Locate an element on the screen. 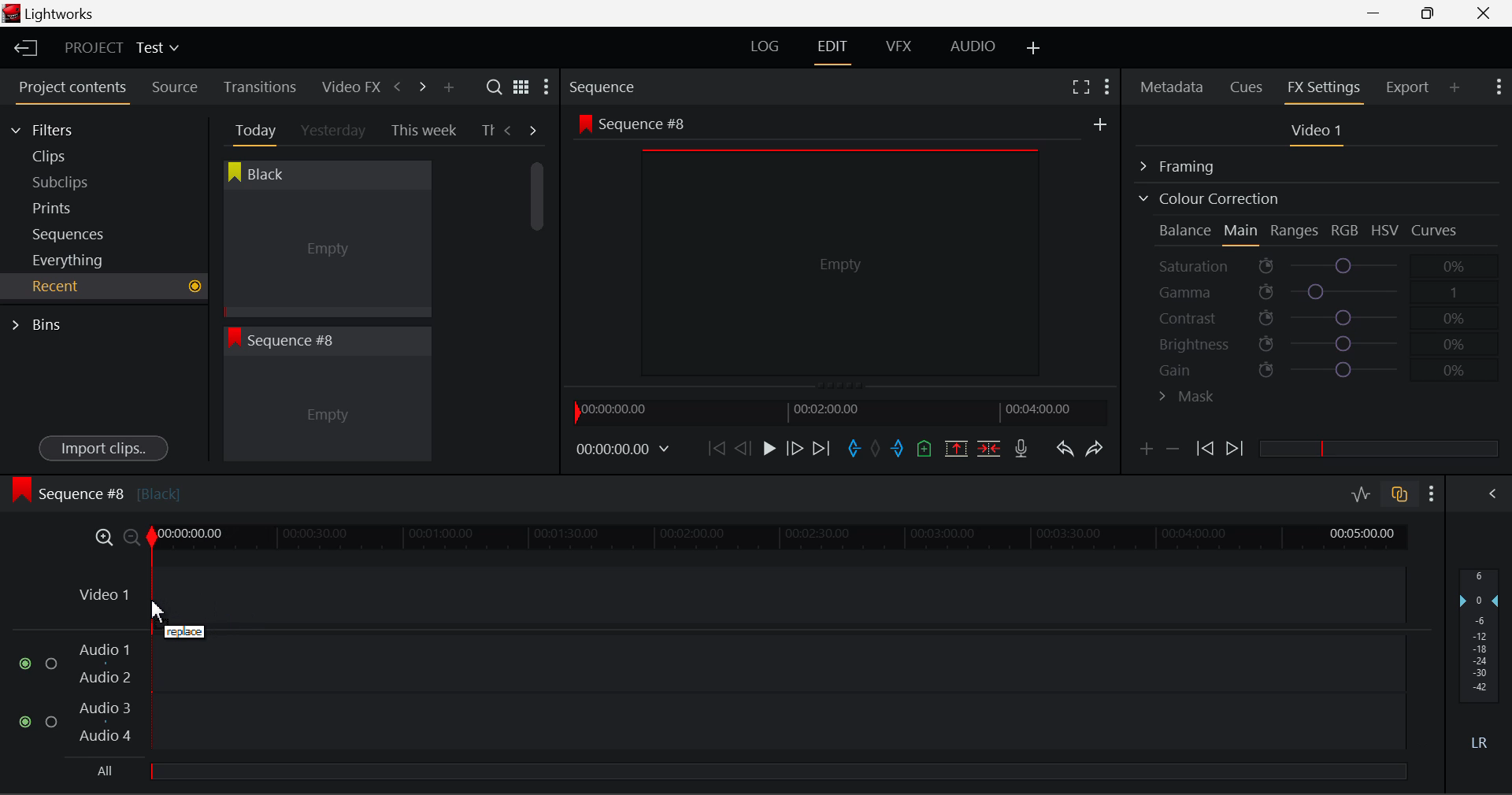  Ranges is located at coordinates (1295, 232).